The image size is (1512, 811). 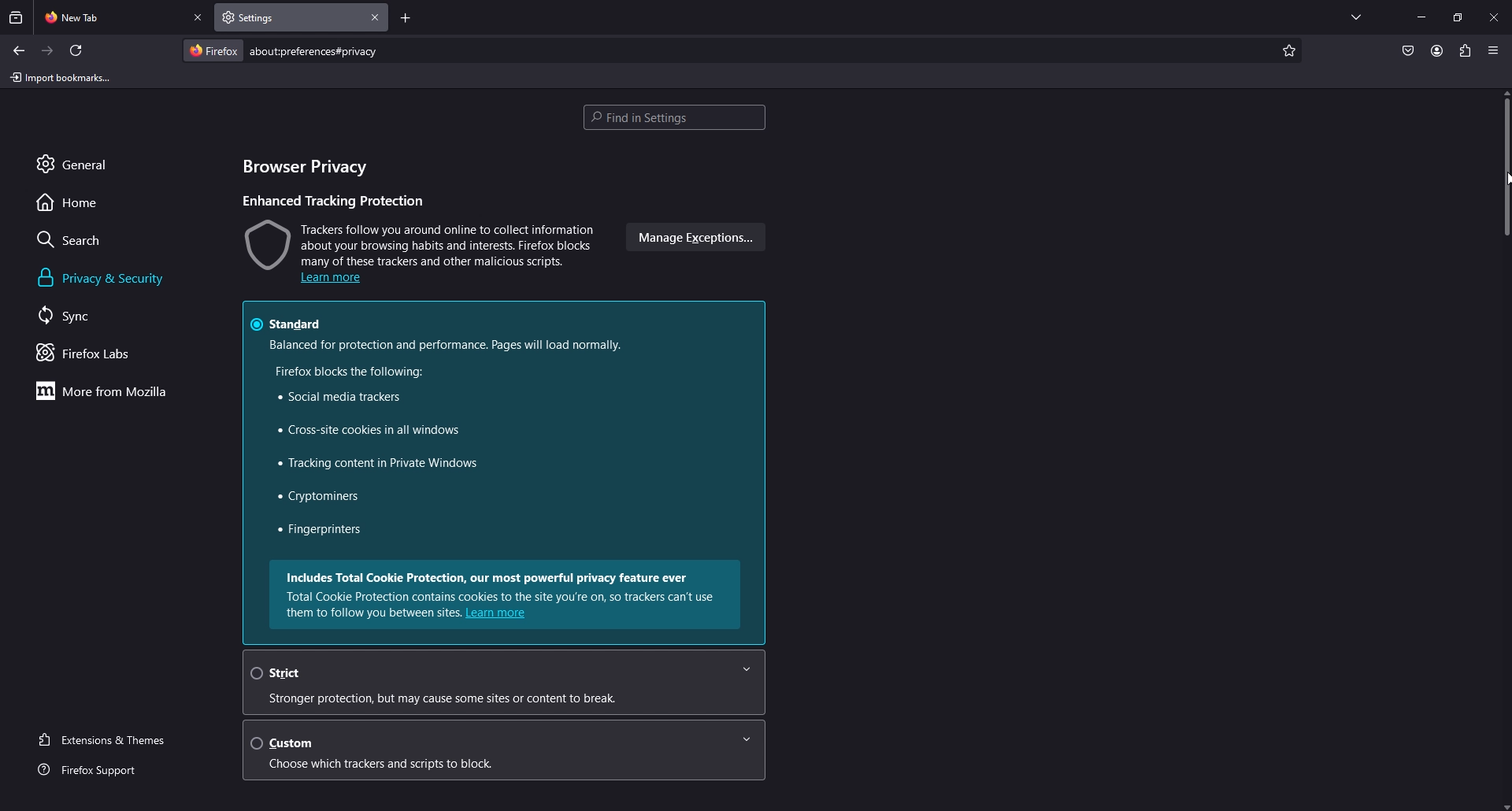 What do you see at coordinates (1492, 50) in the screenshot?
I see `application menu` at bounding box center [1492, 50].